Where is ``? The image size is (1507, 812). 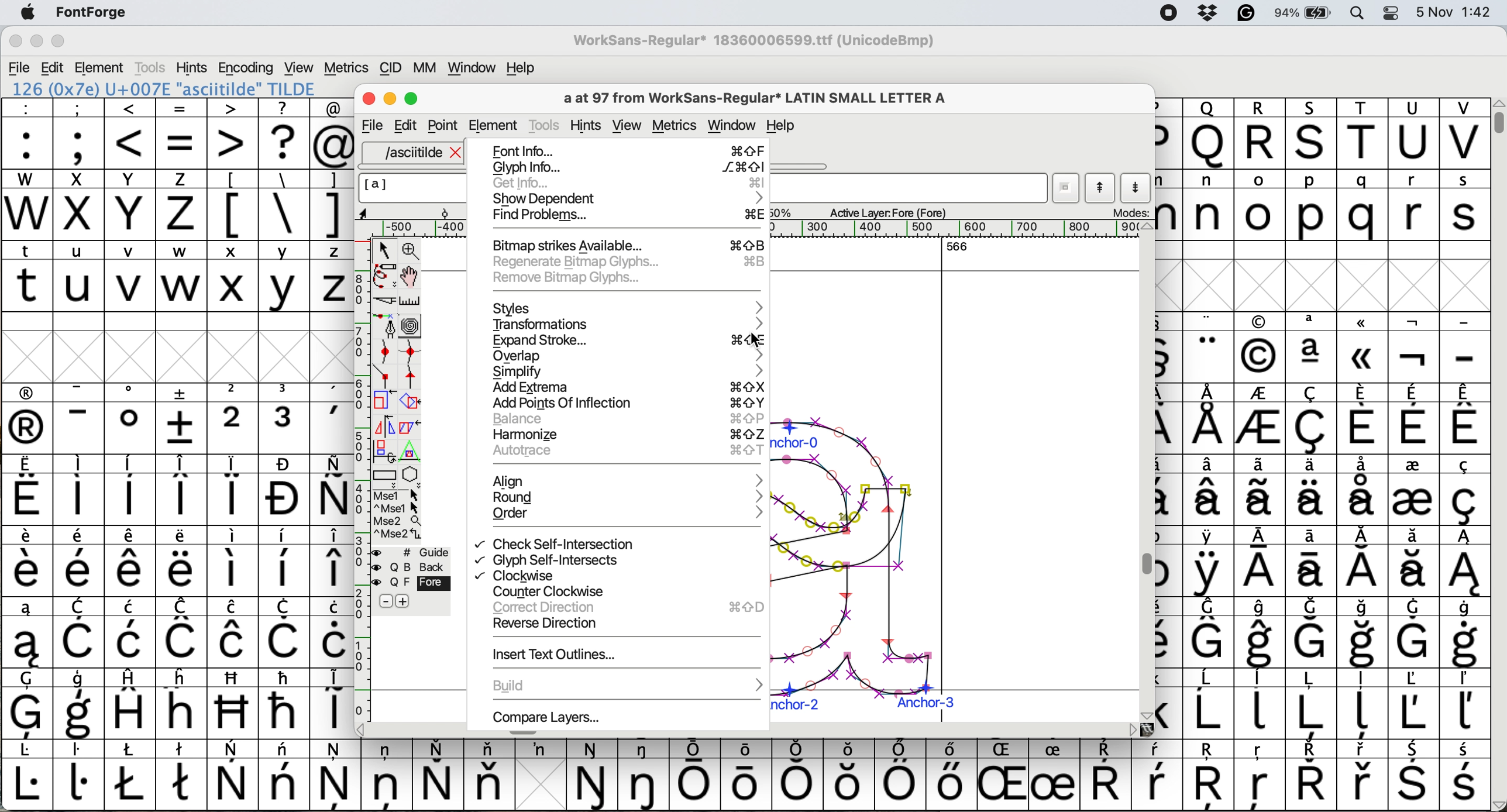
 is located at coordinates (1313, 133).